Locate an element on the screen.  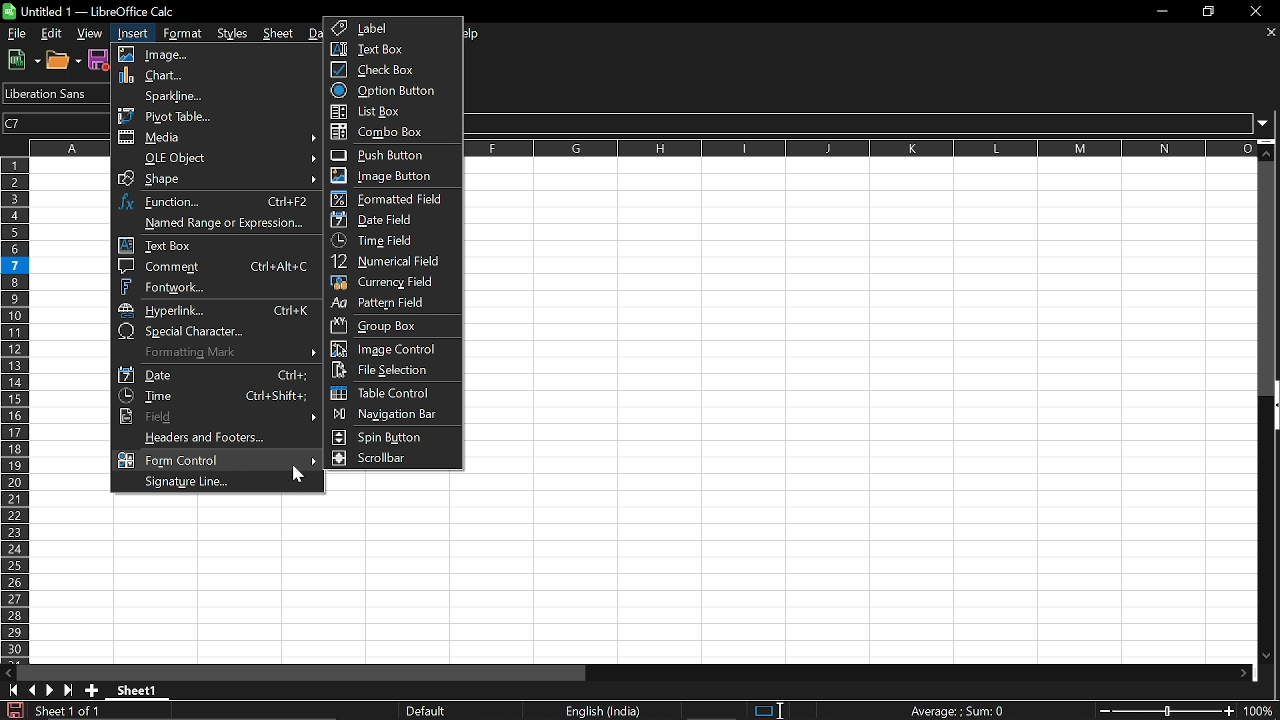
Headers and footers is located at coordinates (221, 438).